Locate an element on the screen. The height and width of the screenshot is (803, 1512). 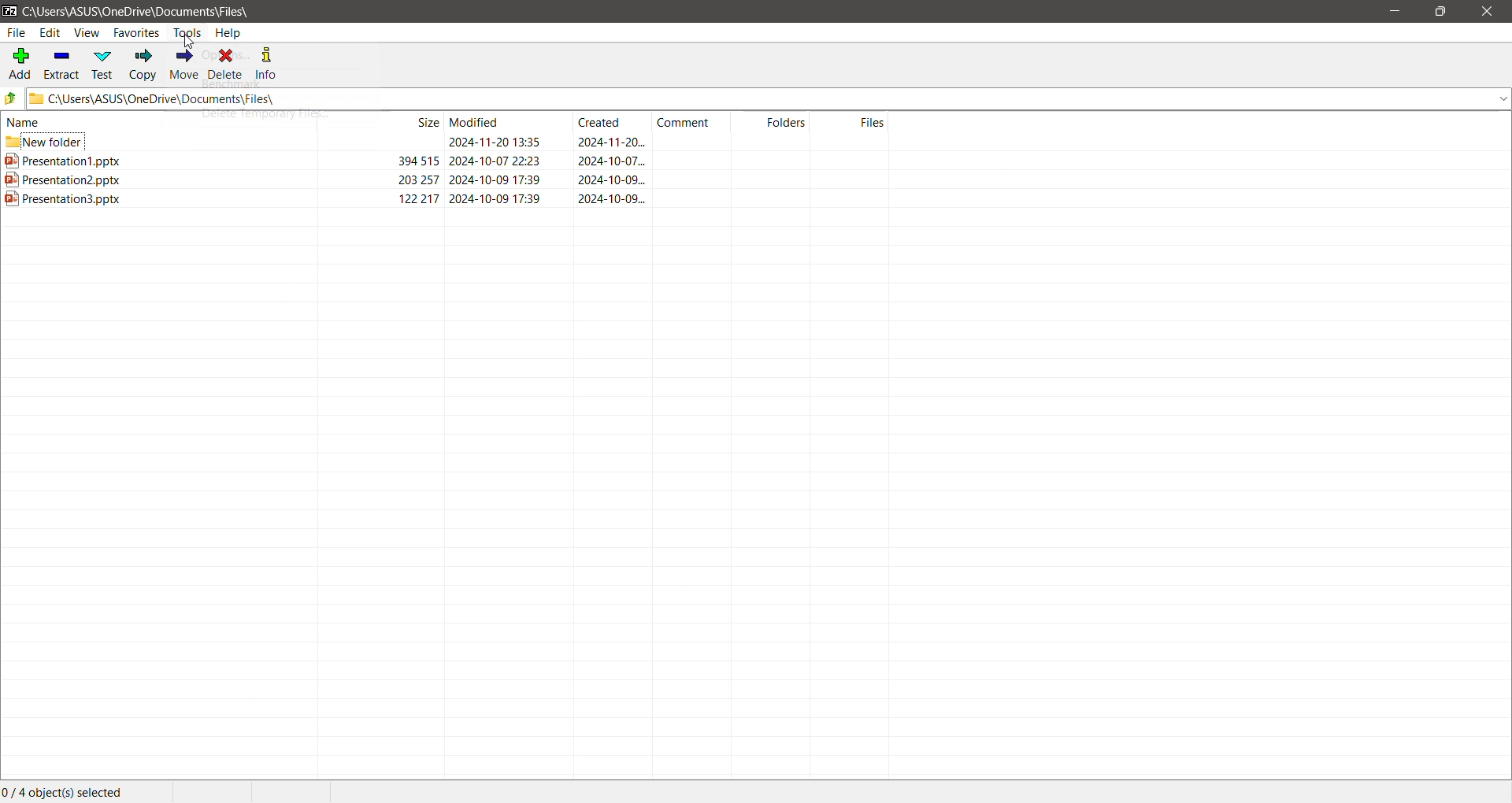
Close is located at coordinates (1485, 12).